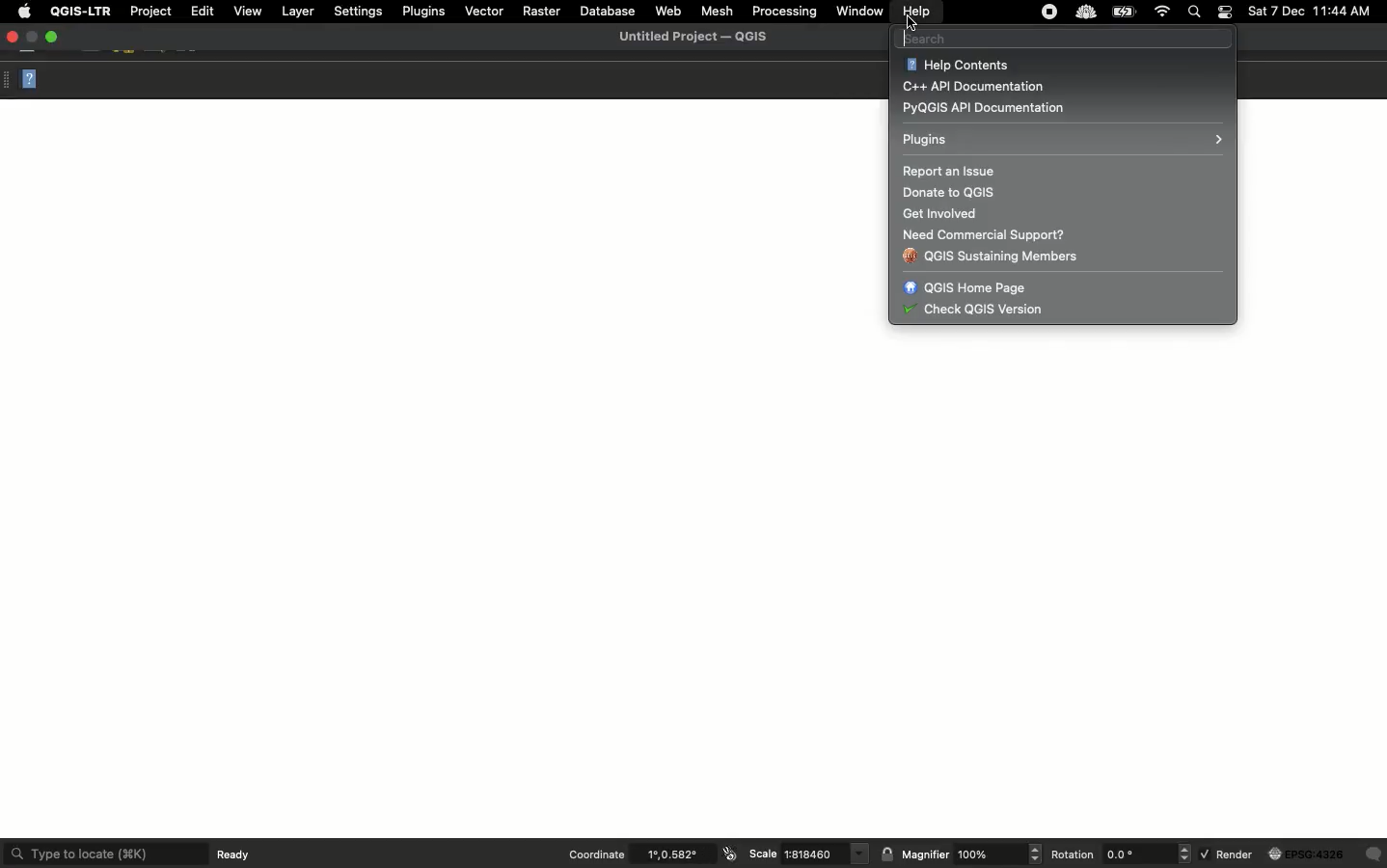  I want to click on Rotation, so click(1119, 856).